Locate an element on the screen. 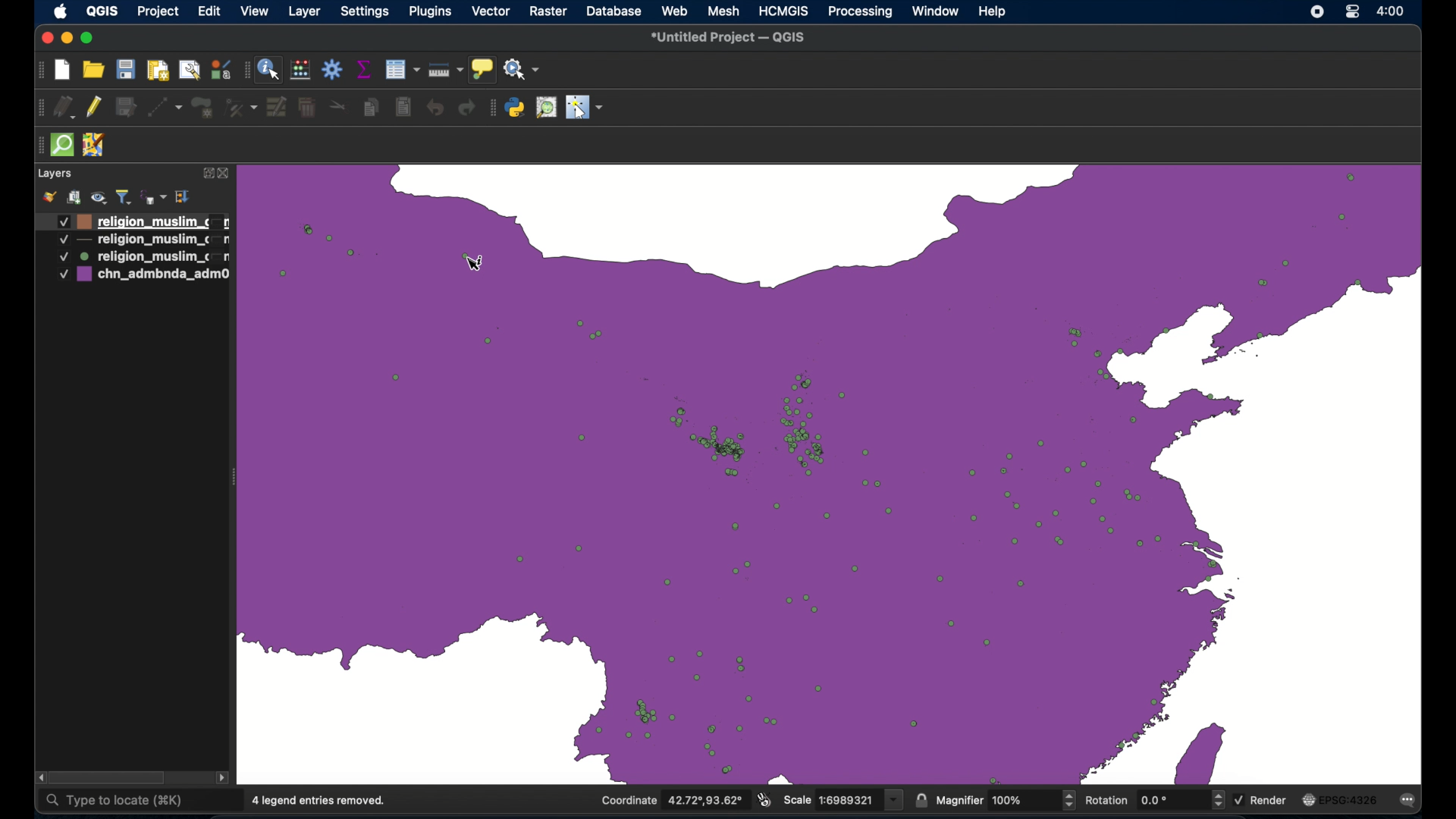 This screenshot has height=819, width=1456. open layout manager is located at coordinates (188, 70).